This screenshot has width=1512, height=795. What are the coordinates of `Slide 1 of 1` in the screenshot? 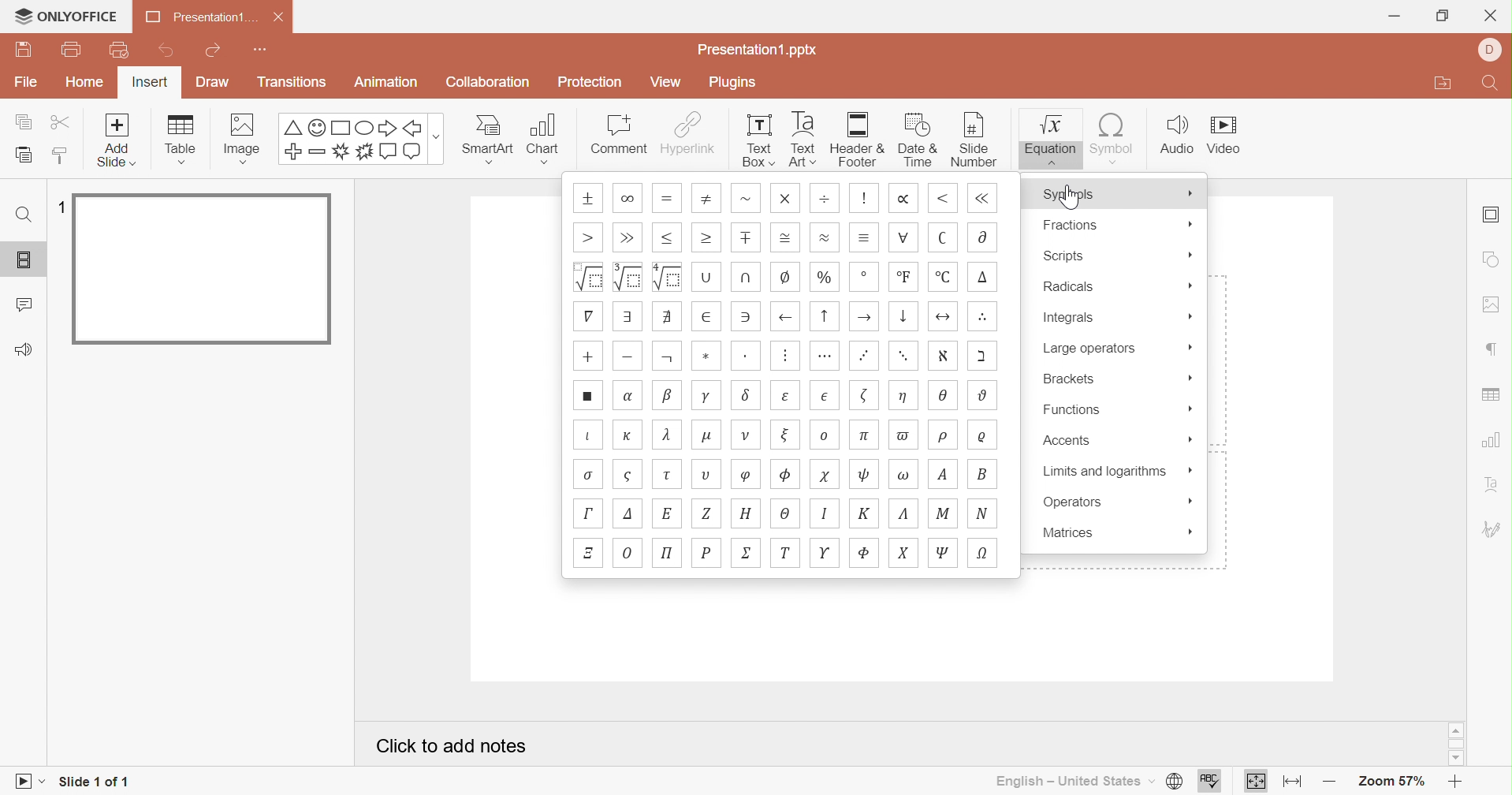 It's located at (96, 782).